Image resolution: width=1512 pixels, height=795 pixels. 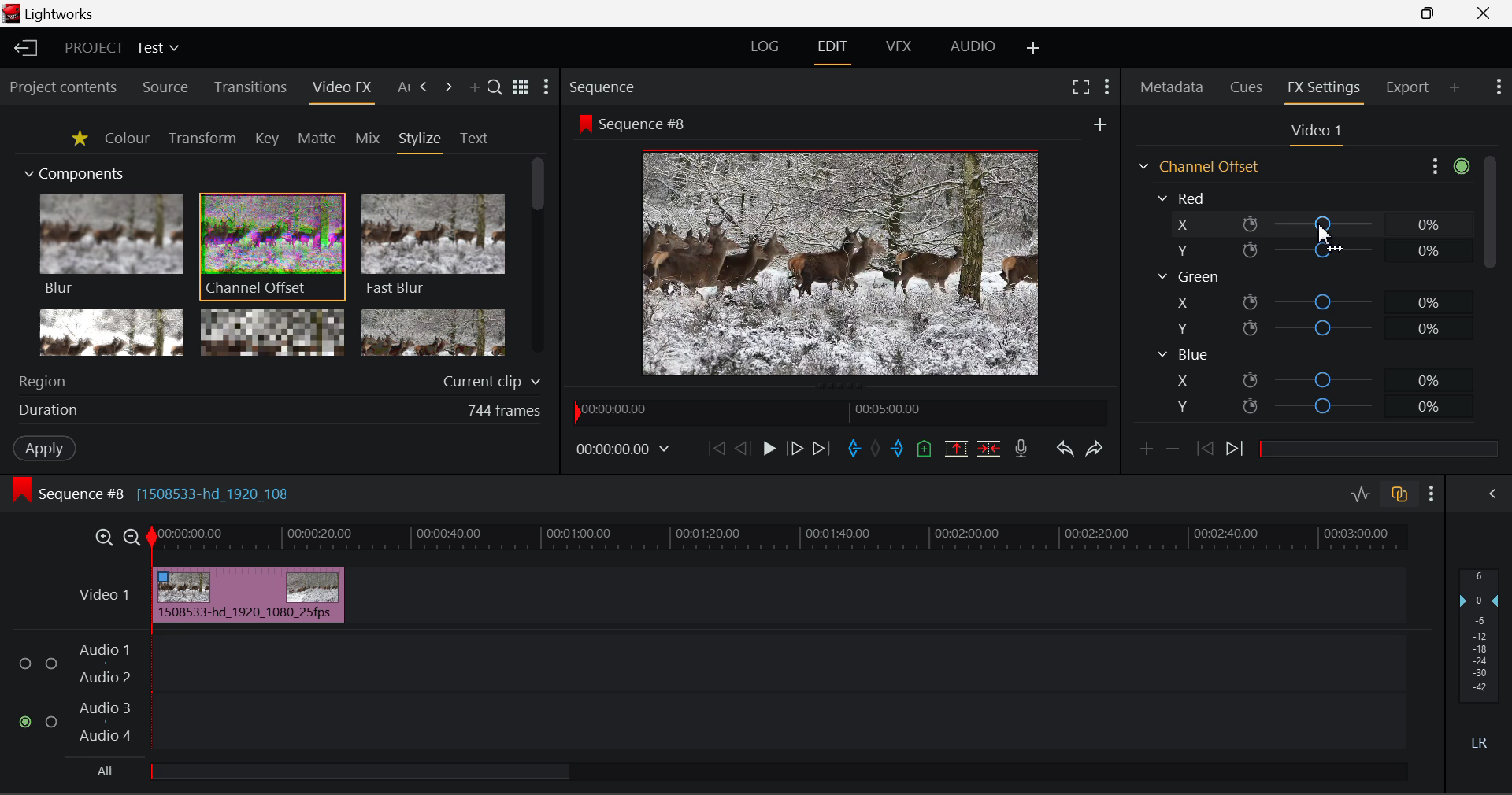 I want to click on Show Audio Mix, so click(x=1484, y=494).